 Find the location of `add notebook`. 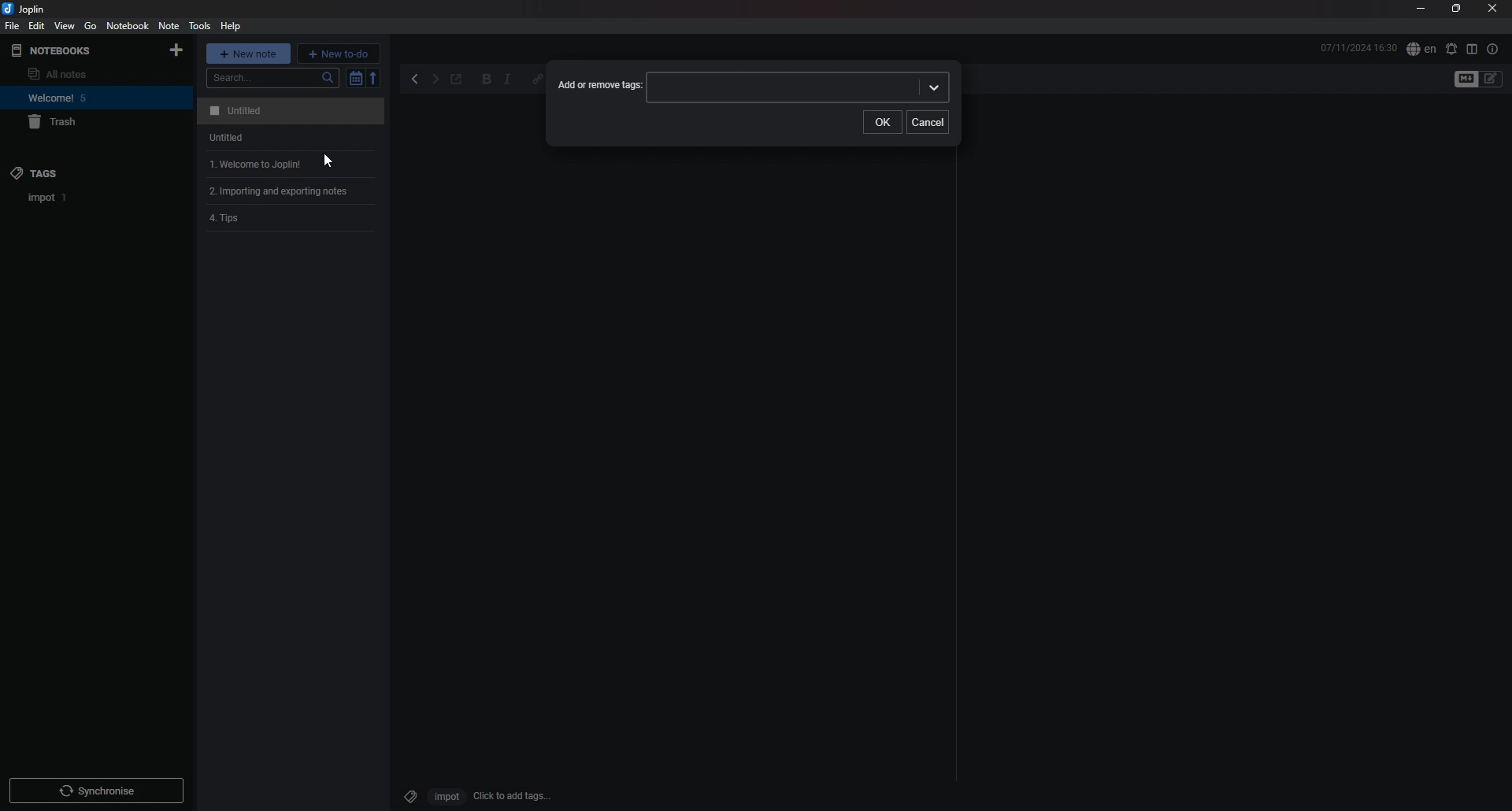

add notebook is located at coordinates (176, 50).